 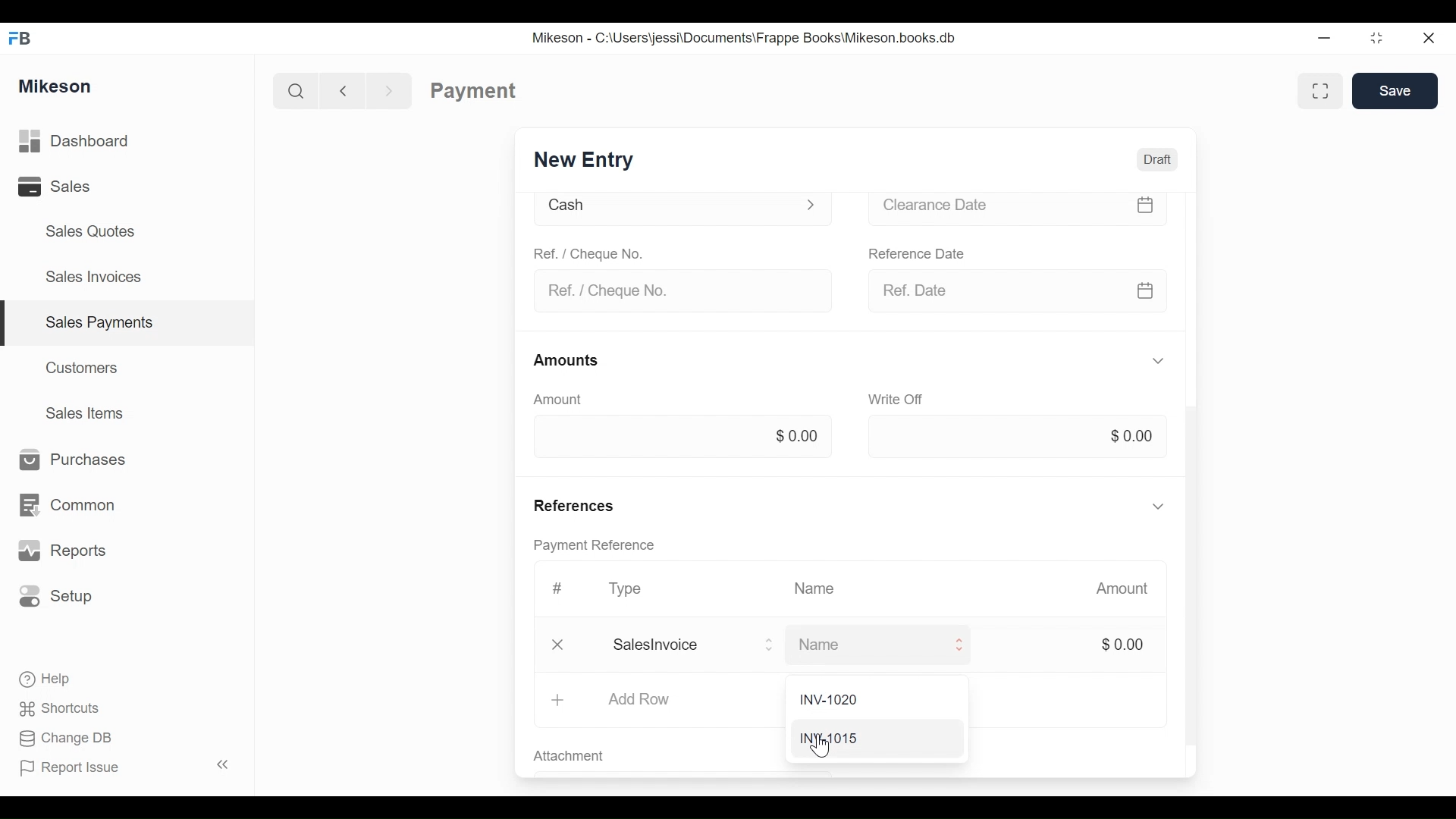 I want to click on $0.00, so click(x=1126, y=642).